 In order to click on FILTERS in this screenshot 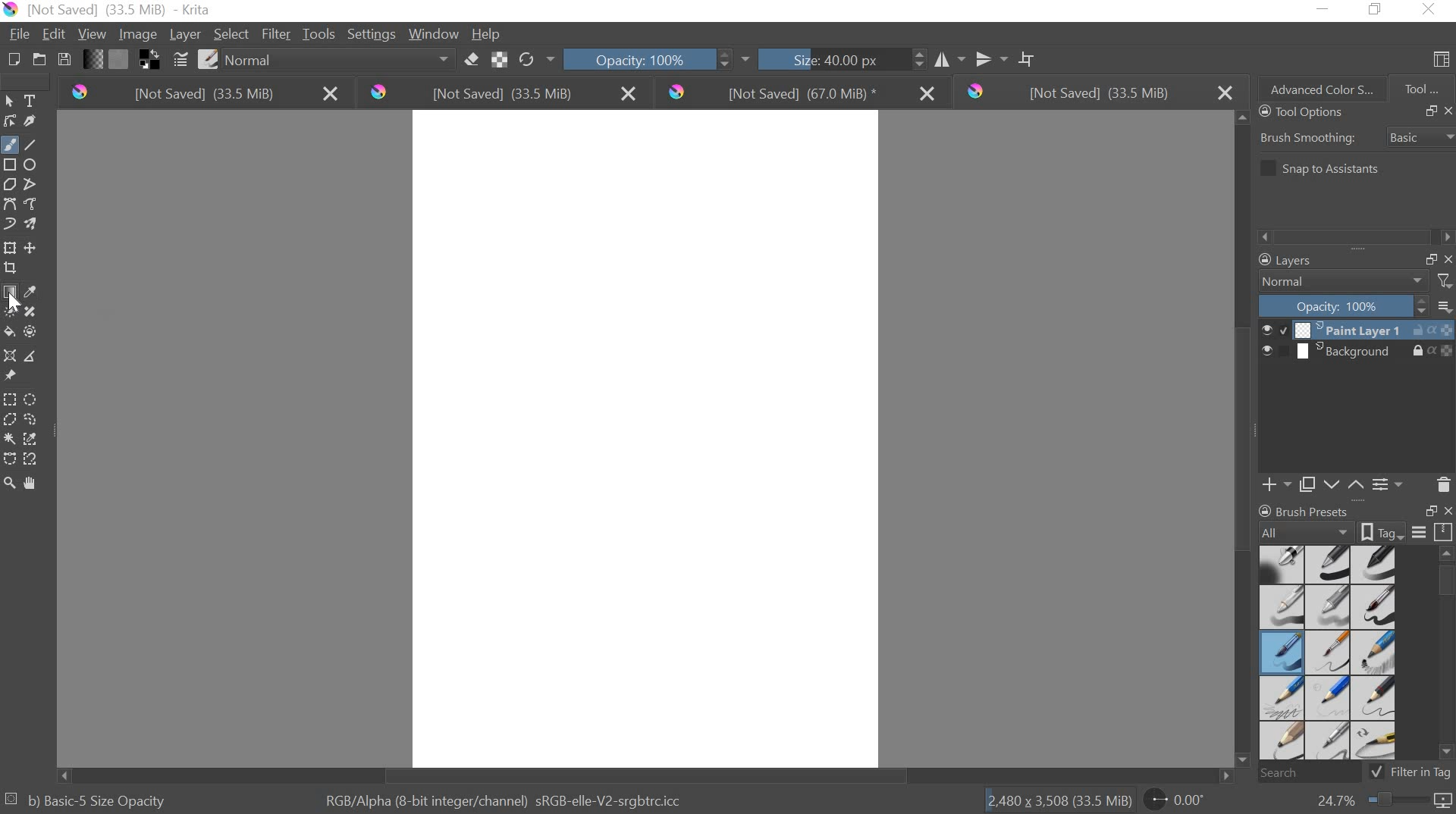, I will do `click(1444, 280)`.